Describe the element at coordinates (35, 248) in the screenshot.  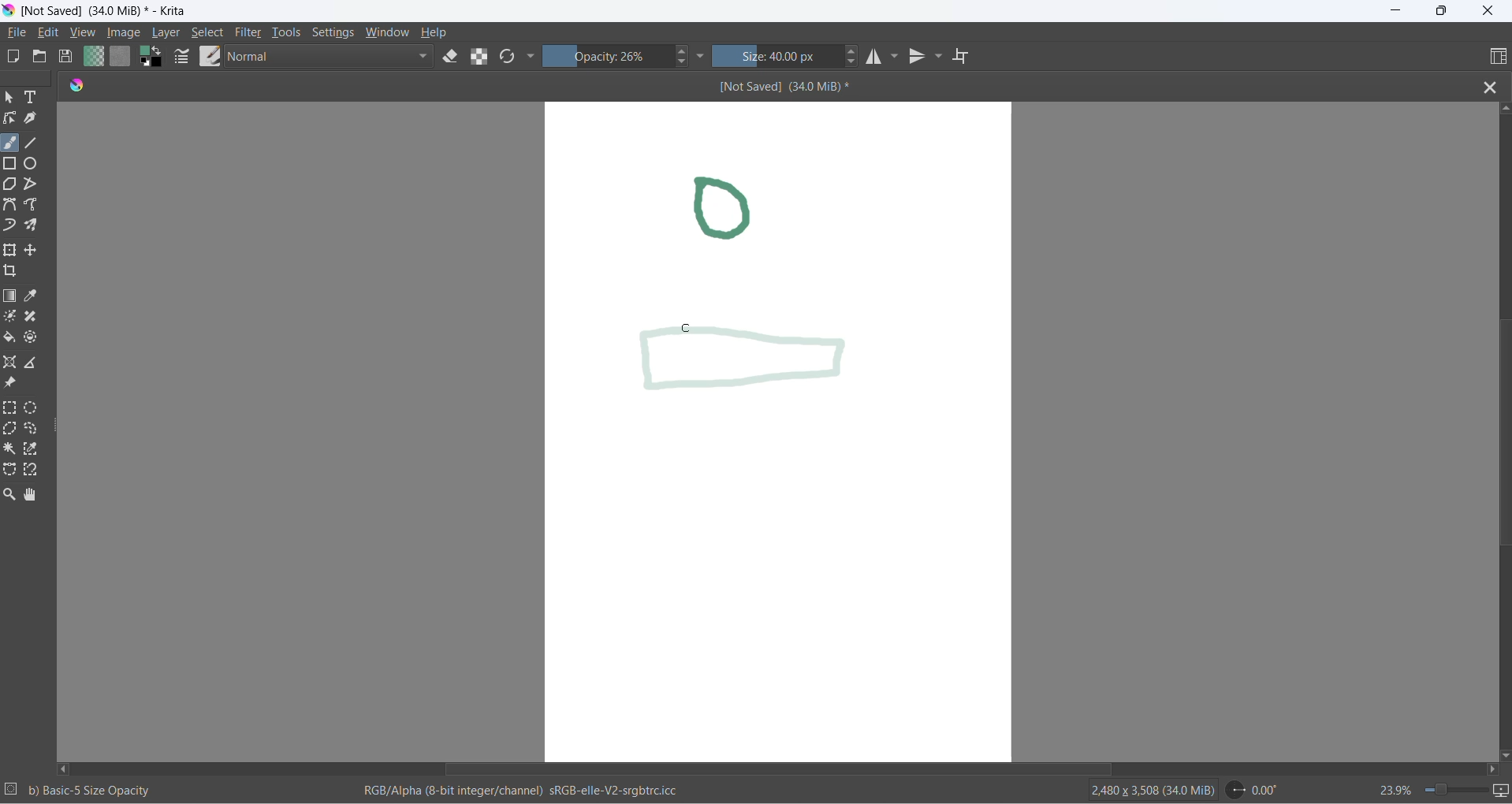
I see `move a layer` at that location.